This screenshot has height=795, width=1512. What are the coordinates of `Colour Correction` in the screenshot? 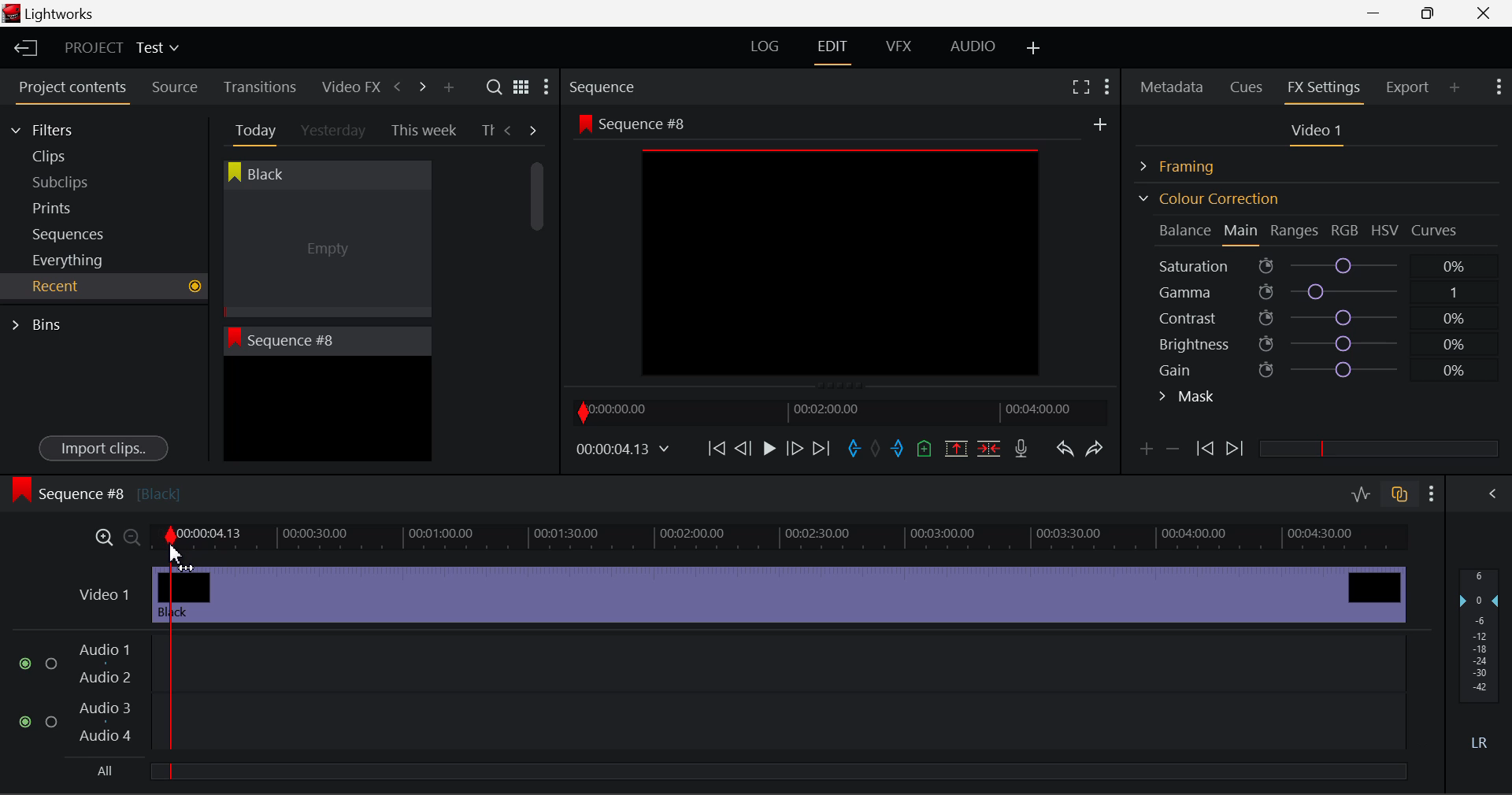 It's located at (1208, 198).